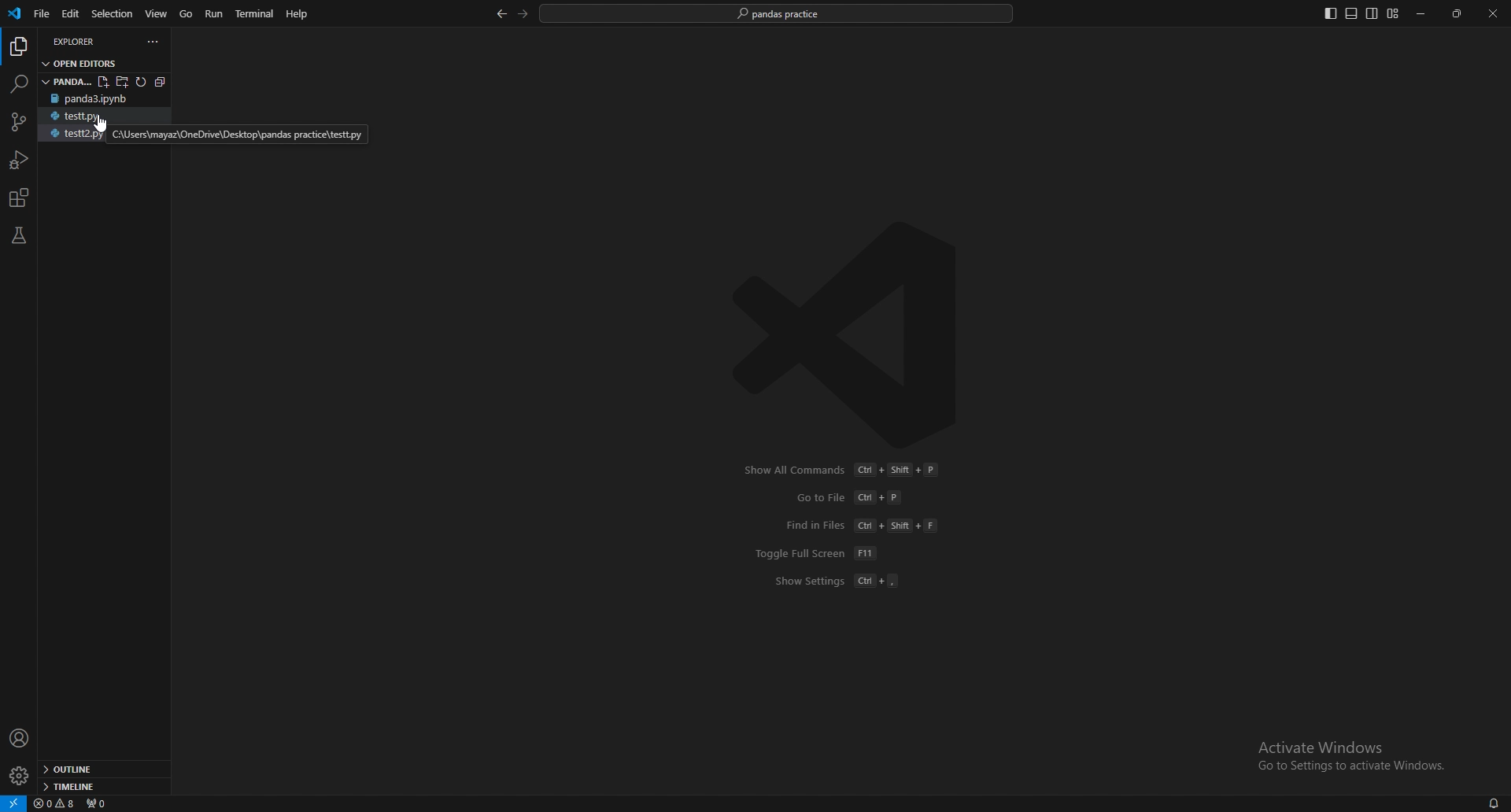 The width and height of the screenshot is (1511, 812). I want to click on timeline, so click(102, 785).